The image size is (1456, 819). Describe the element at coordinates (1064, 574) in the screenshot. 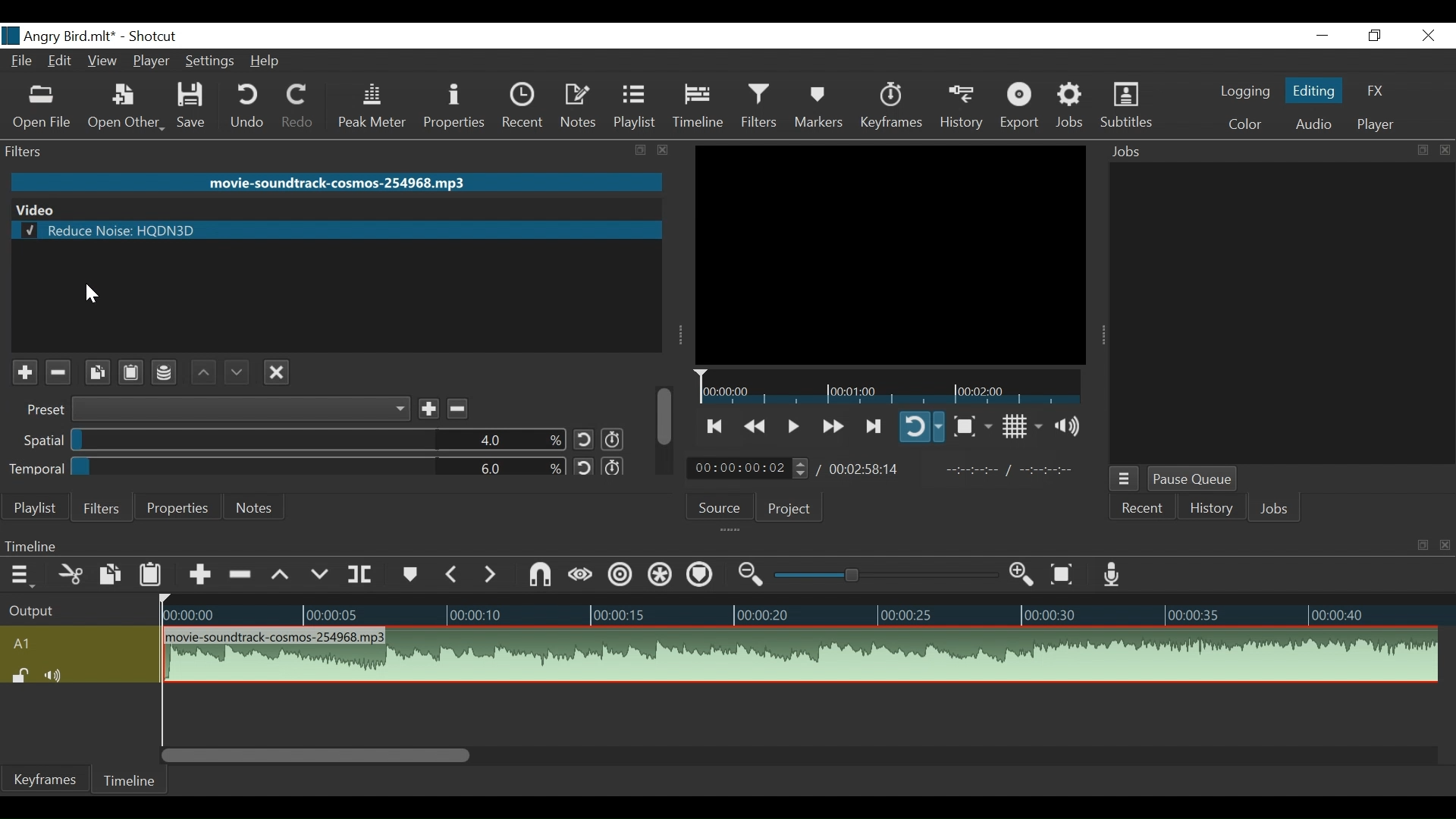

I see `Zoom to fit` at that location.